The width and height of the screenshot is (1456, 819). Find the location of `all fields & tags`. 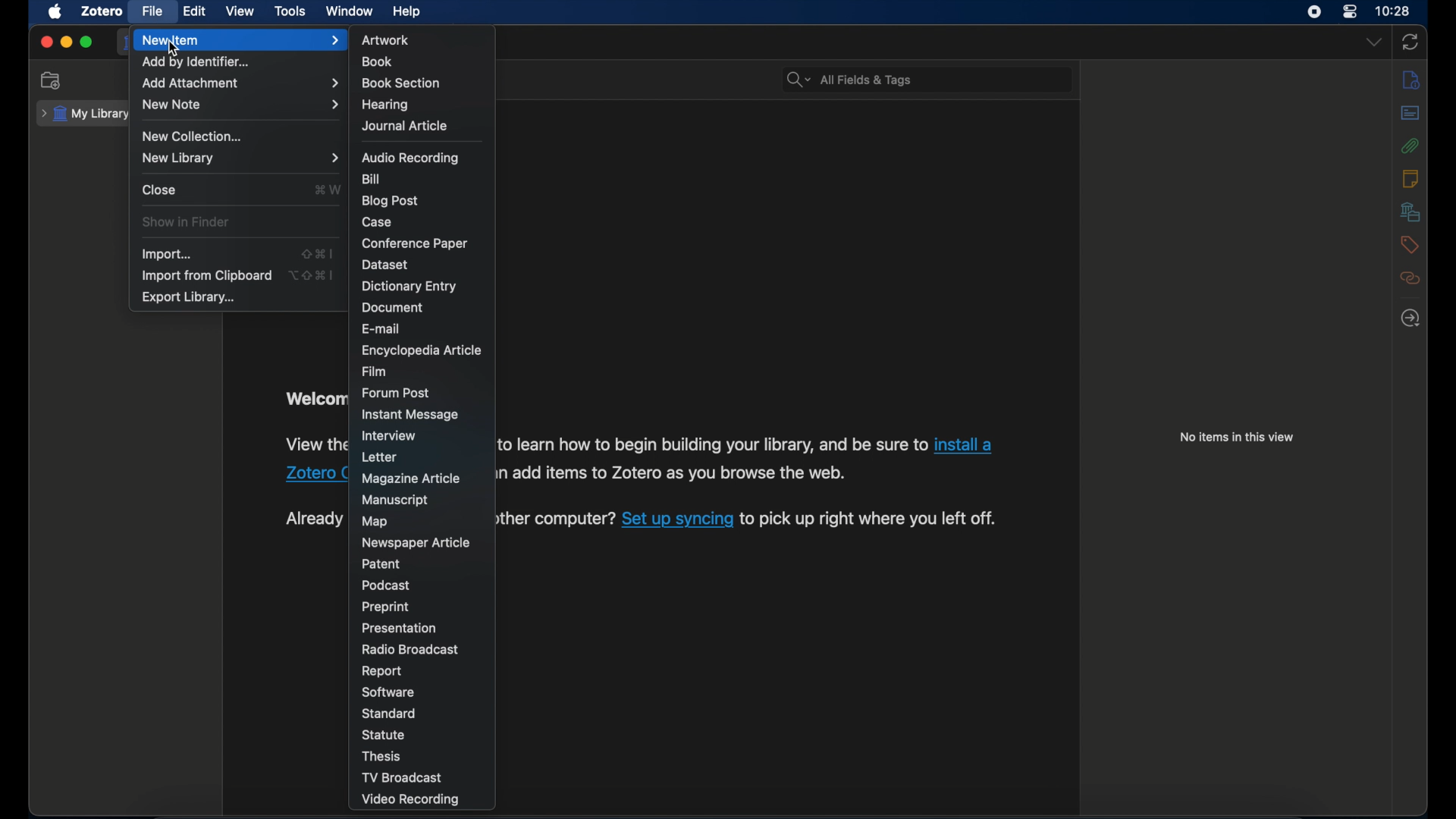

all fields & tags is located at coordinates (848, 79).